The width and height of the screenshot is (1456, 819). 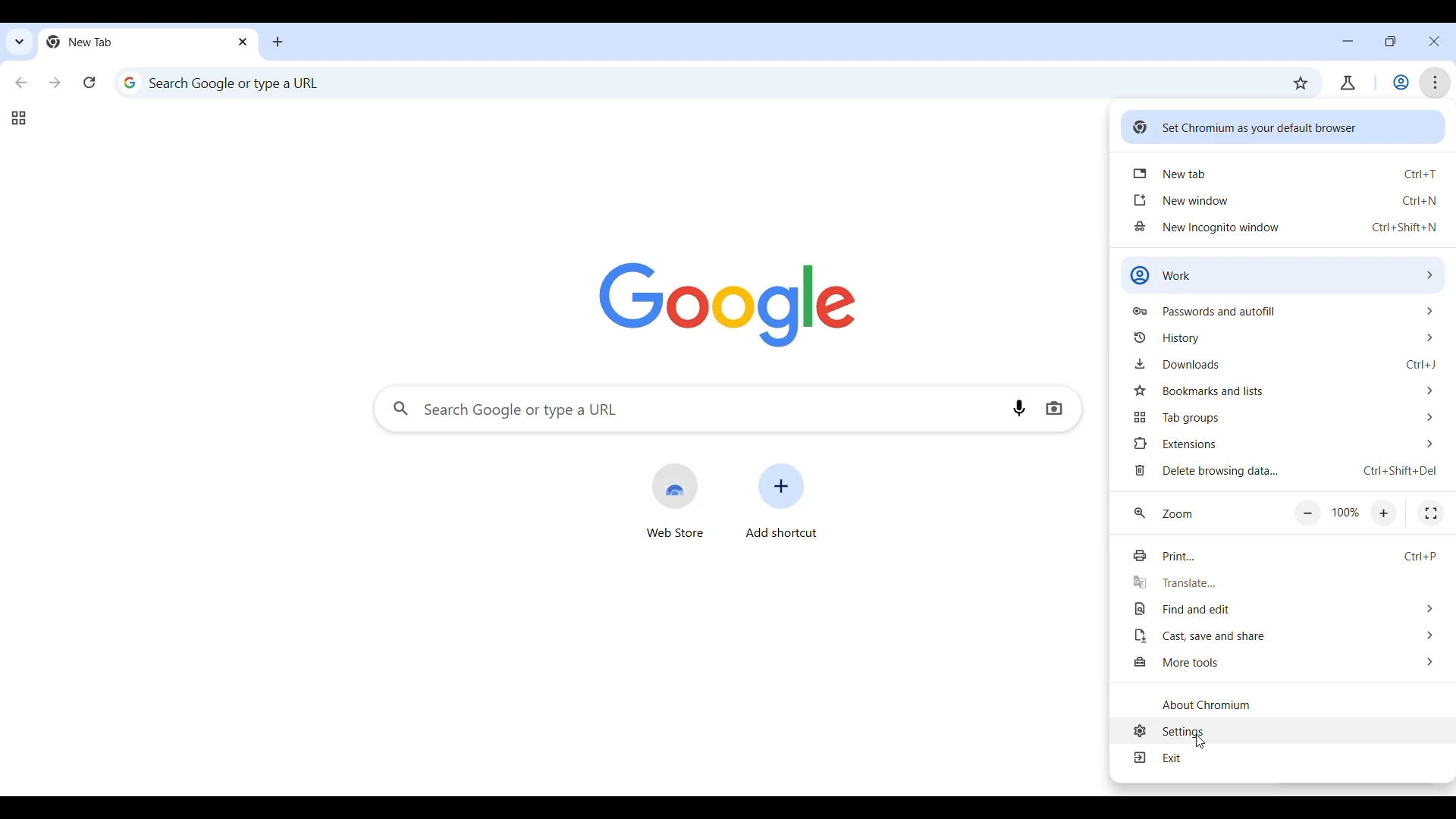 I want to click on Work options, so click(x=1282, y=275).